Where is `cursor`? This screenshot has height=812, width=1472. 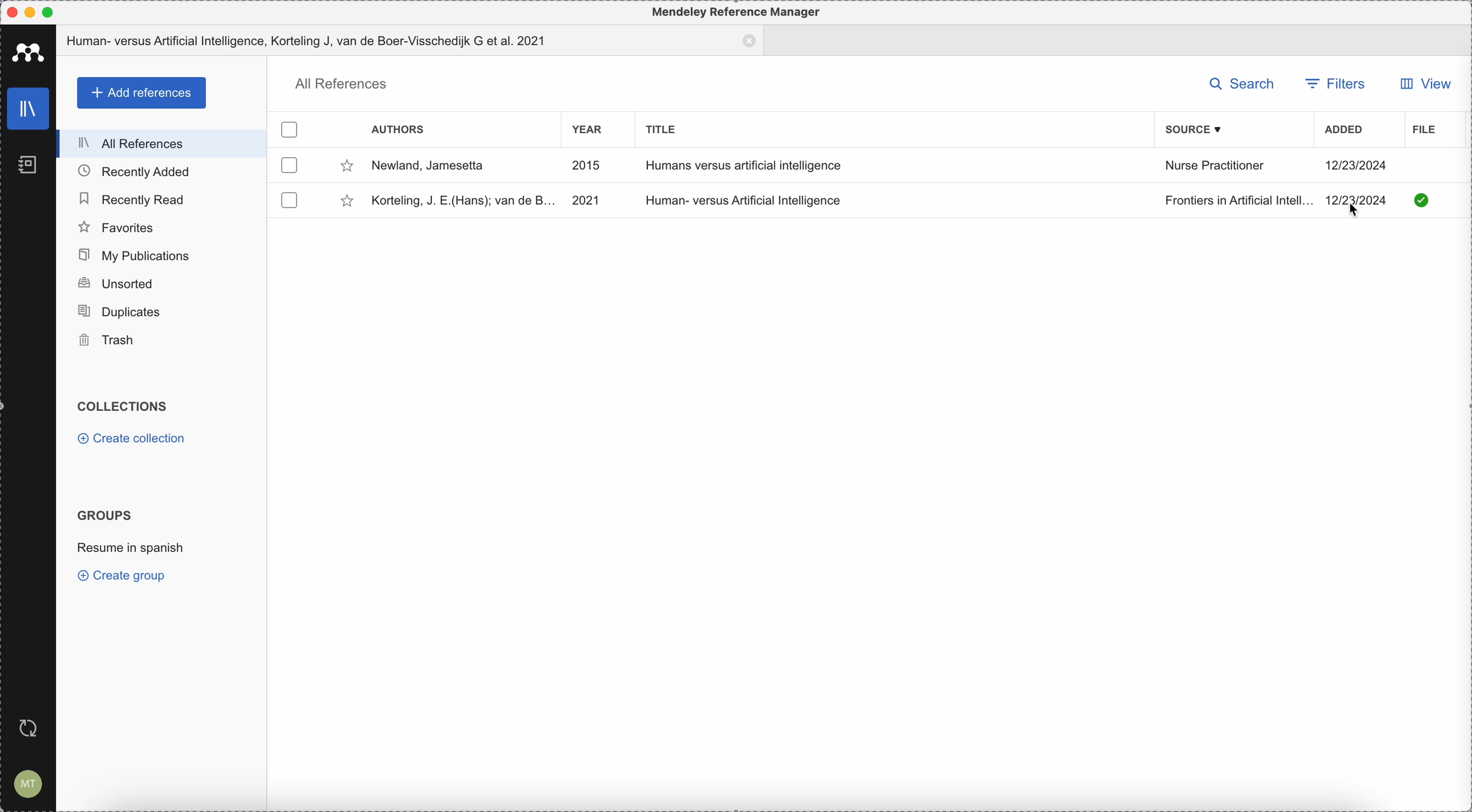 cursor is located at coordinates (1349, 210).